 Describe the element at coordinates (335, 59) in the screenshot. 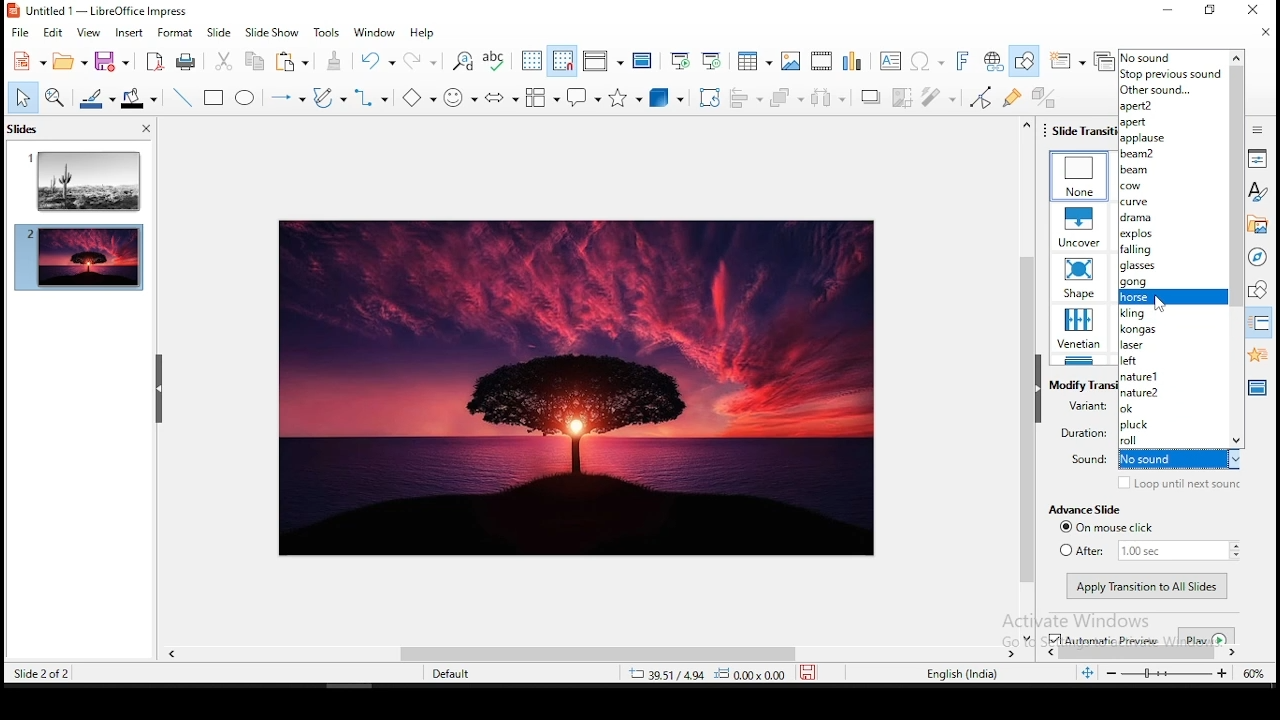

I see `paste` at that location.